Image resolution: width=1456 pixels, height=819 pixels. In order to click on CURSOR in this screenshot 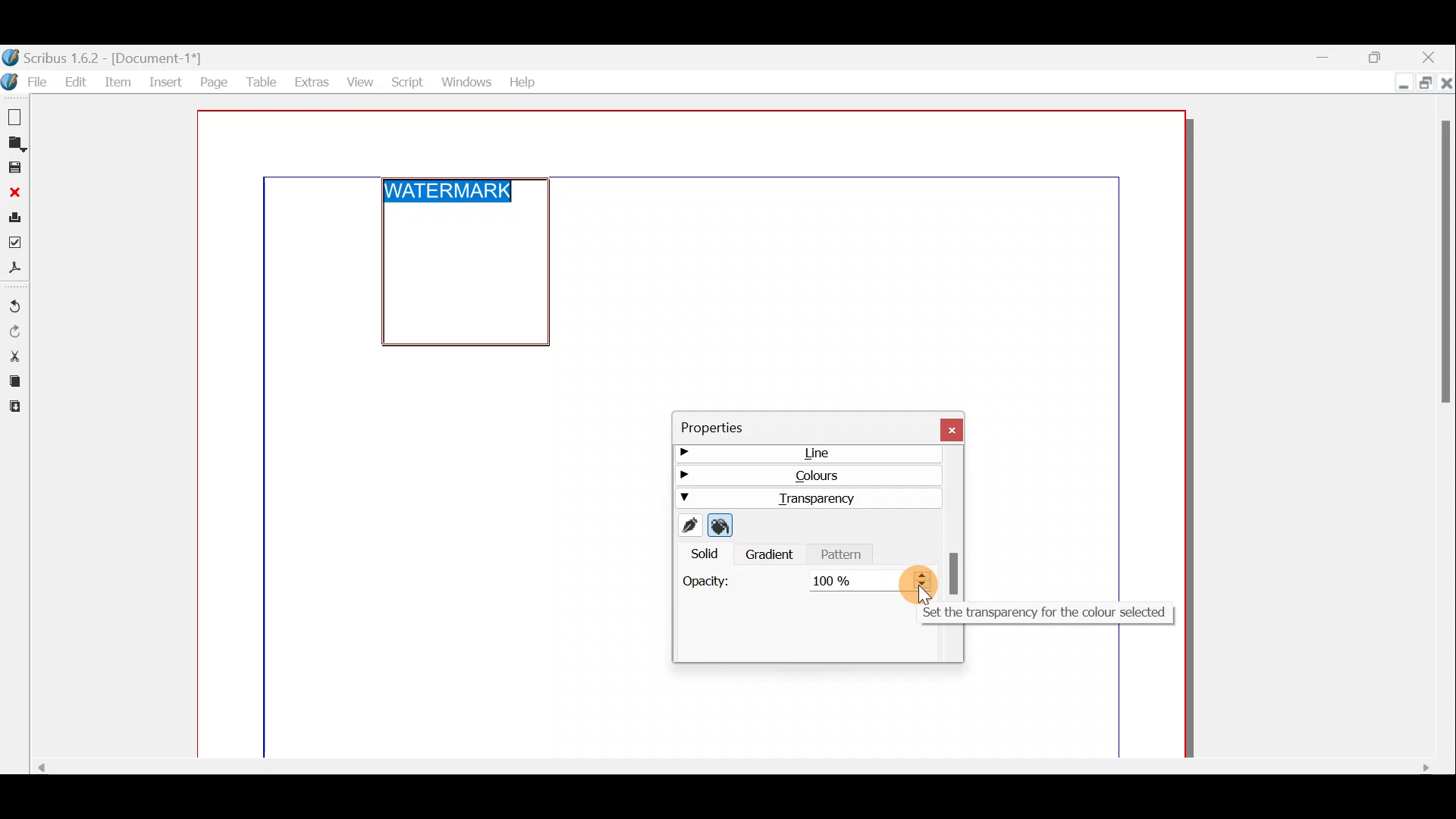, I will do `click(927, 598)`.